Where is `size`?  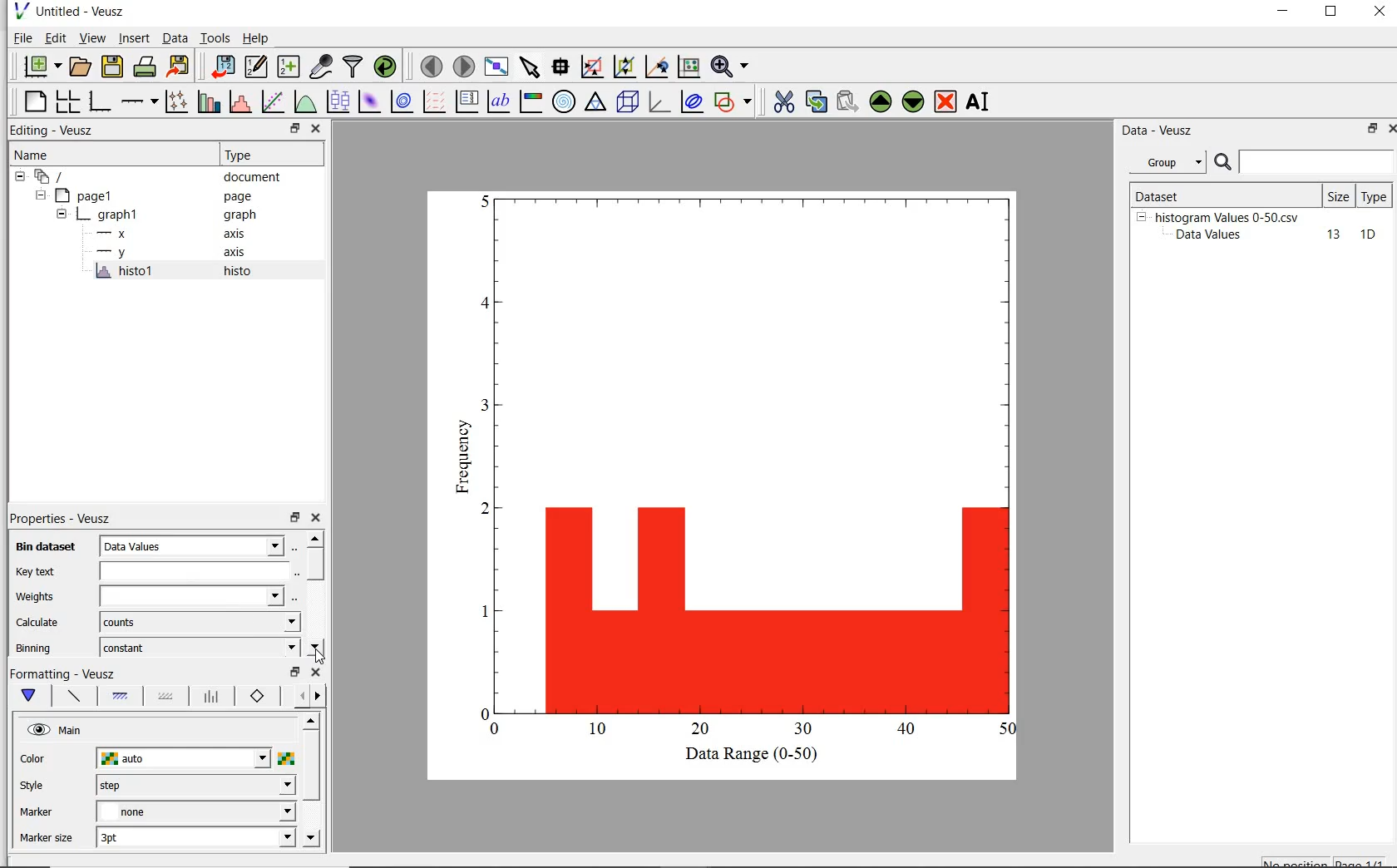 size is located at coordinates (1338, 196).